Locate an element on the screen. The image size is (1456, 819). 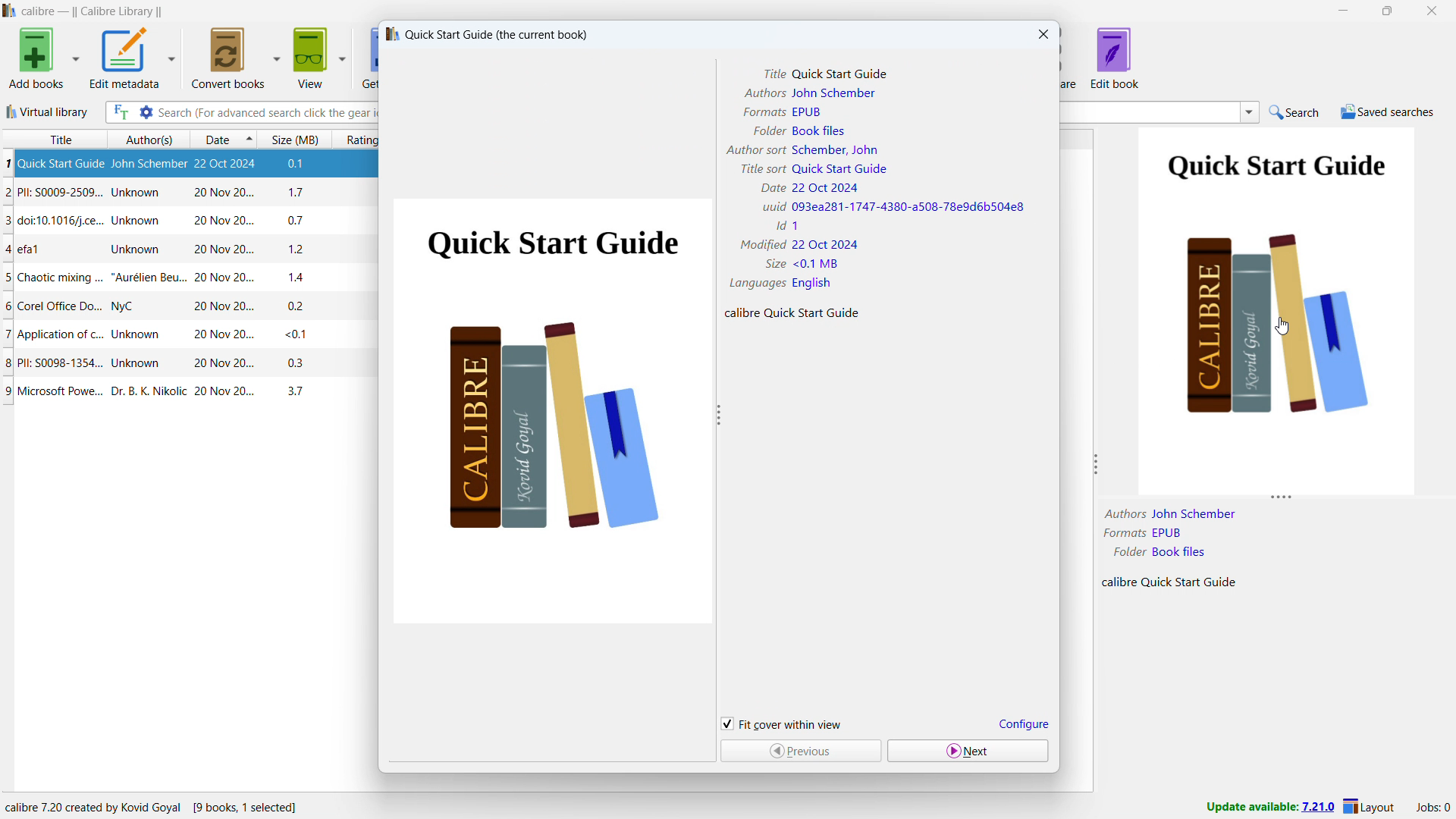
edit metadata options is located at coordinates (173, 55).